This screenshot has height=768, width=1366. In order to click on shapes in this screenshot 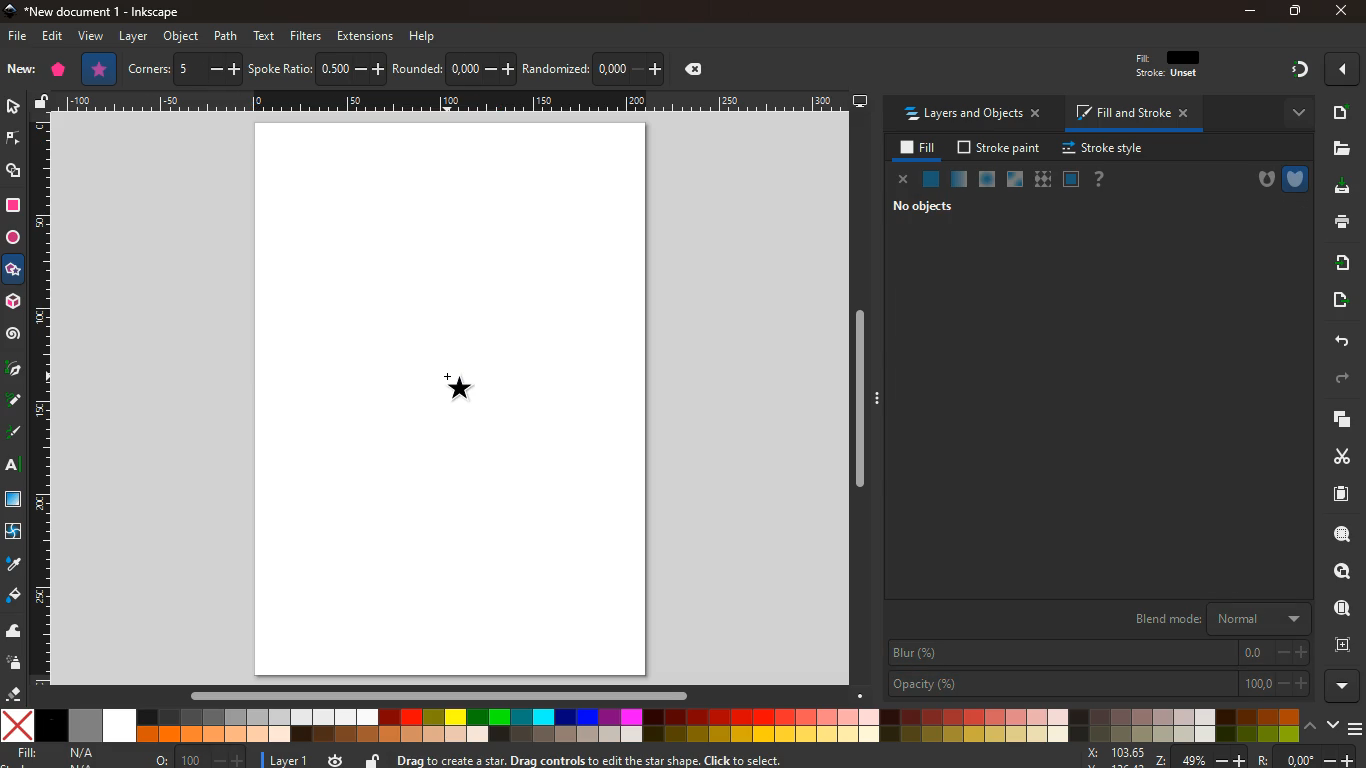, I will do `click(14, 173)`.